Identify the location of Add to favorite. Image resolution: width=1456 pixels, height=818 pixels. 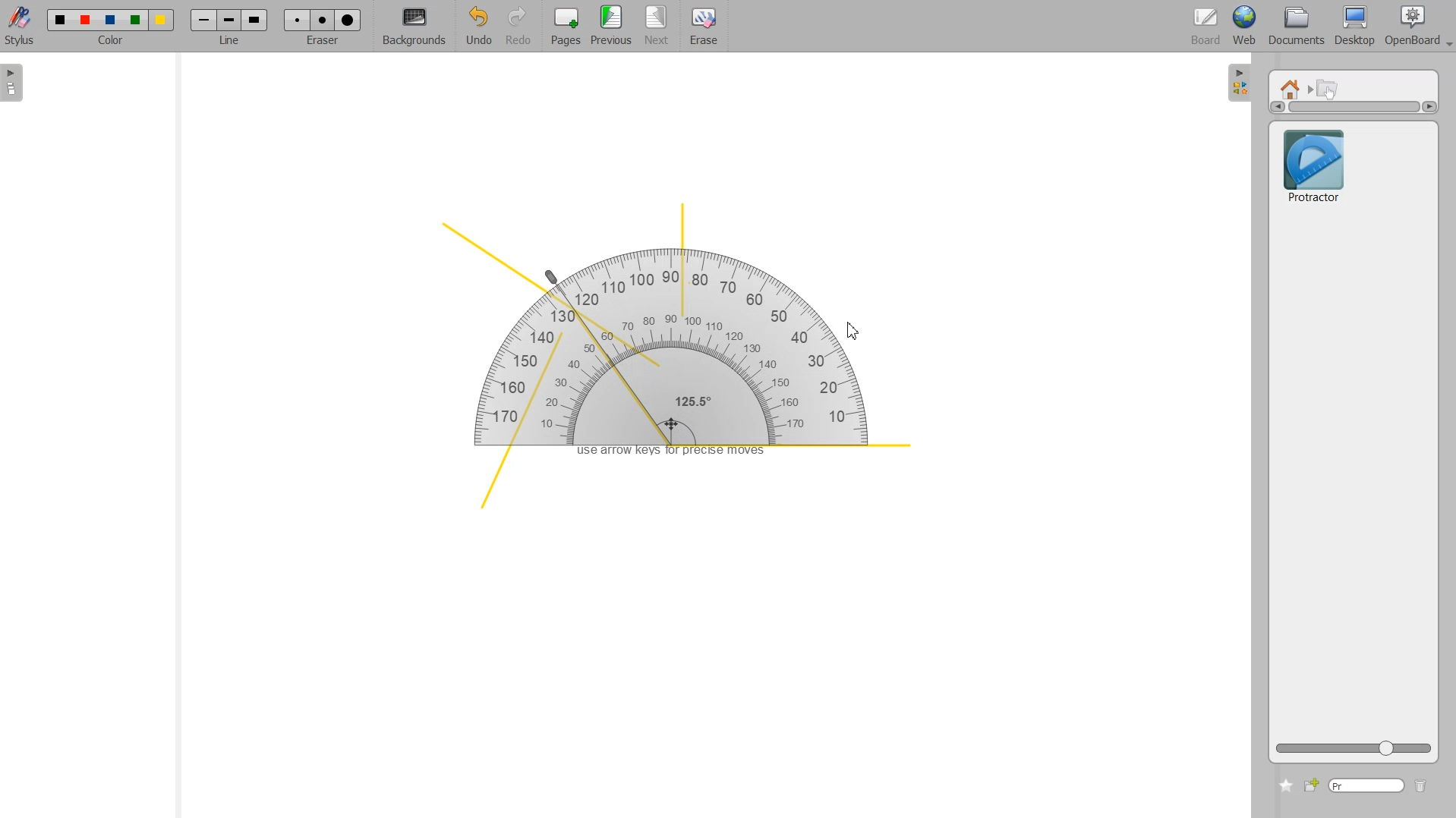
(1285, 785).